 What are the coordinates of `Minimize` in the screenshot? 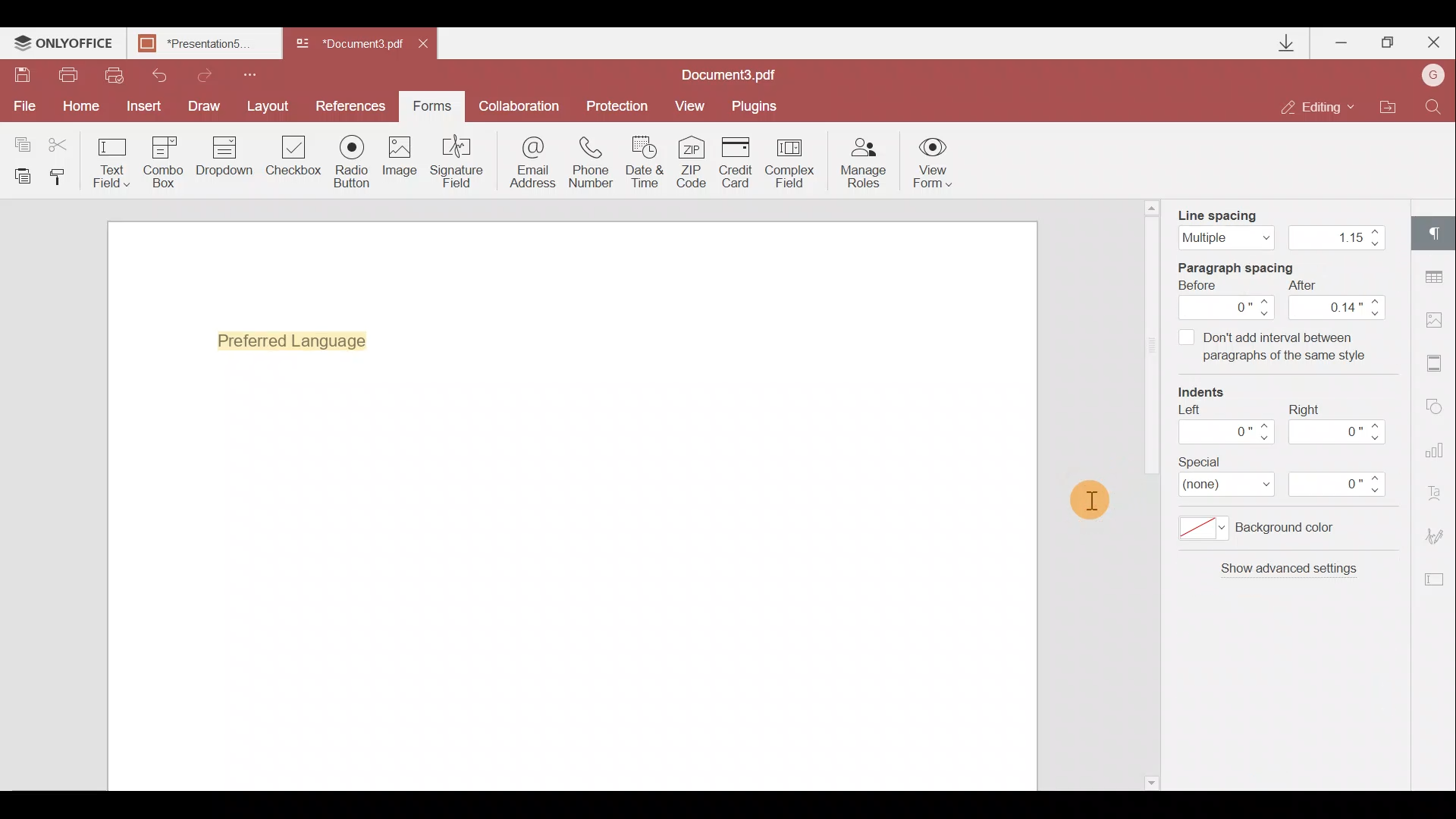 It's located at (1343, 39).